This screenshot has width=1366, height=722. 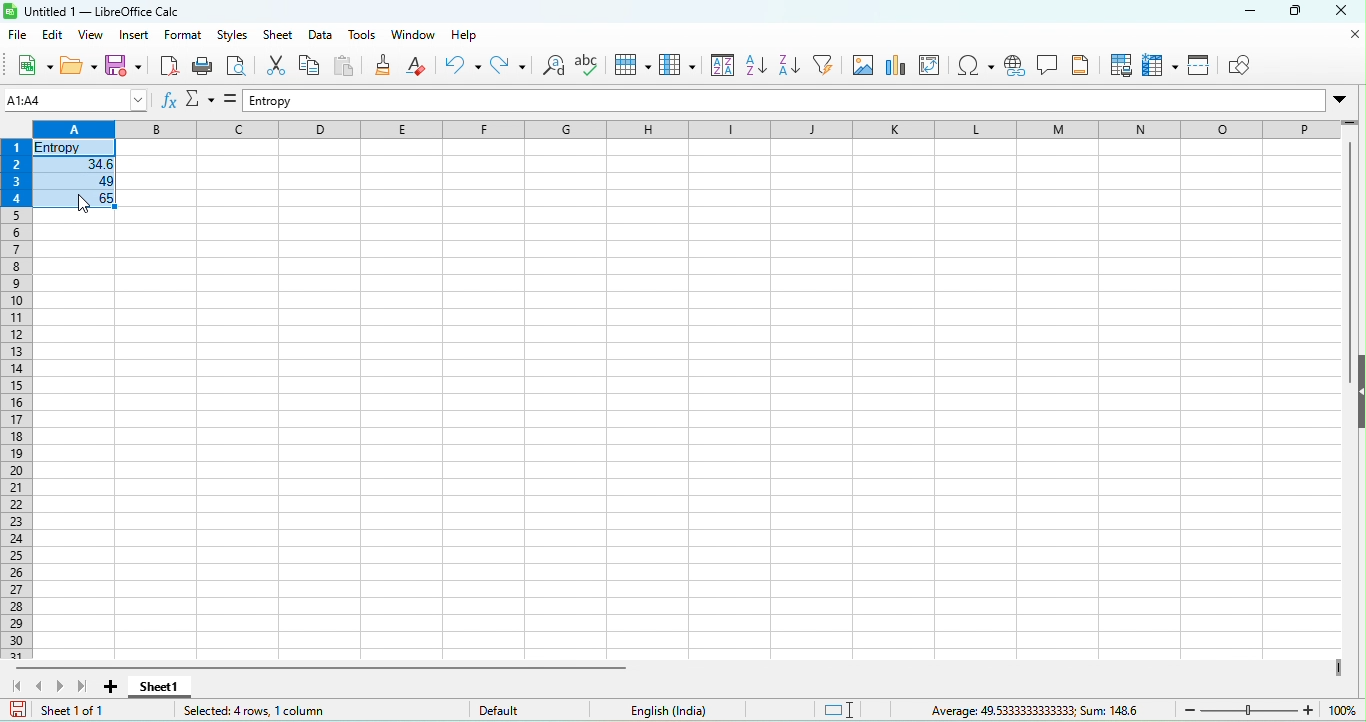 I want to click on clear direct formatting, so click(x=419, y=69).